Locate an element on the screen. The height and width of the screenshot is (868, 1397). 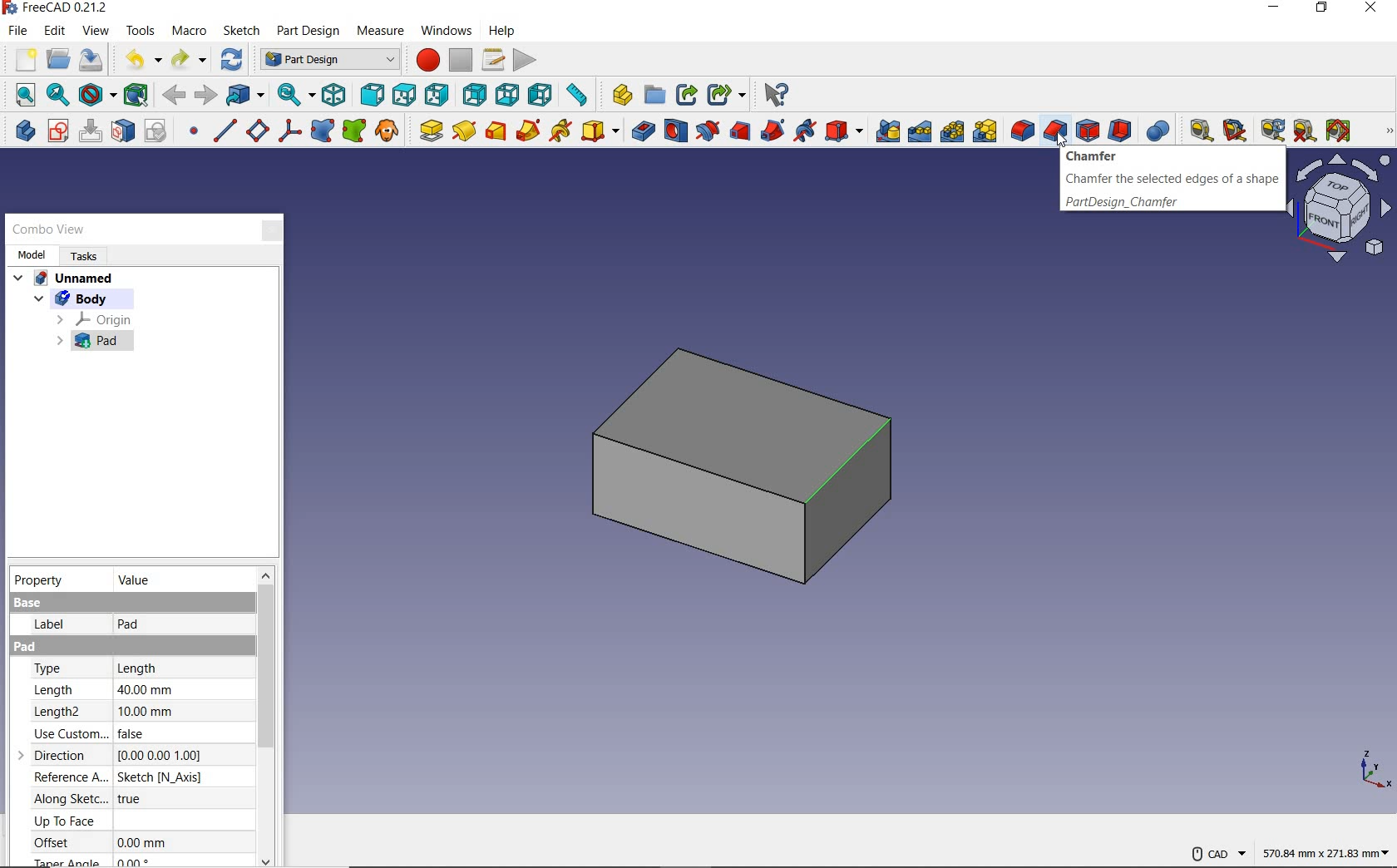
top is located at coordinates (403, 94).